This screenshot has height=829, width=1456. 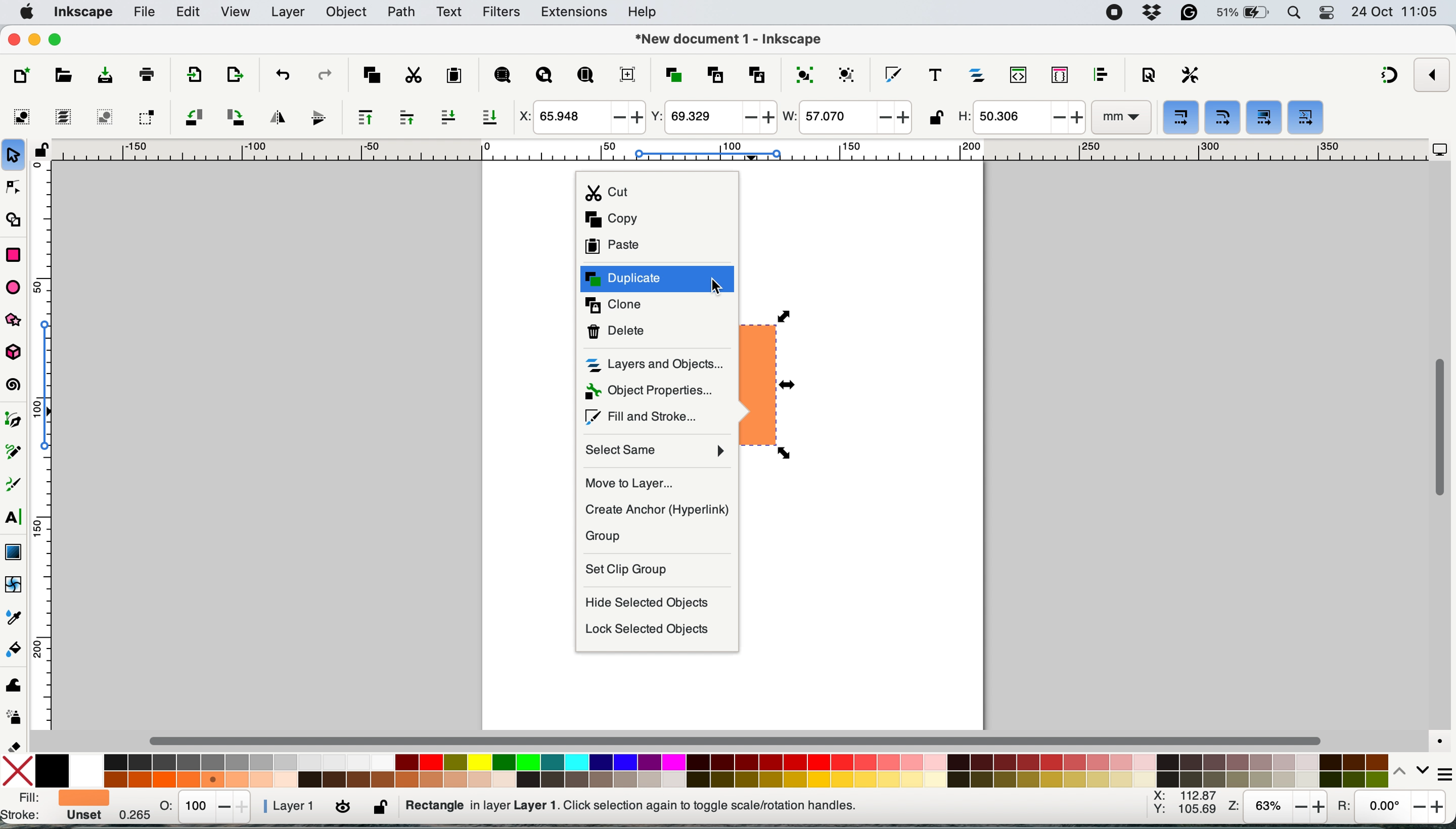 What do you see at coordinates (1244, 13) in the screenshot?
I see `battery` at bounding box center [1244, 13].